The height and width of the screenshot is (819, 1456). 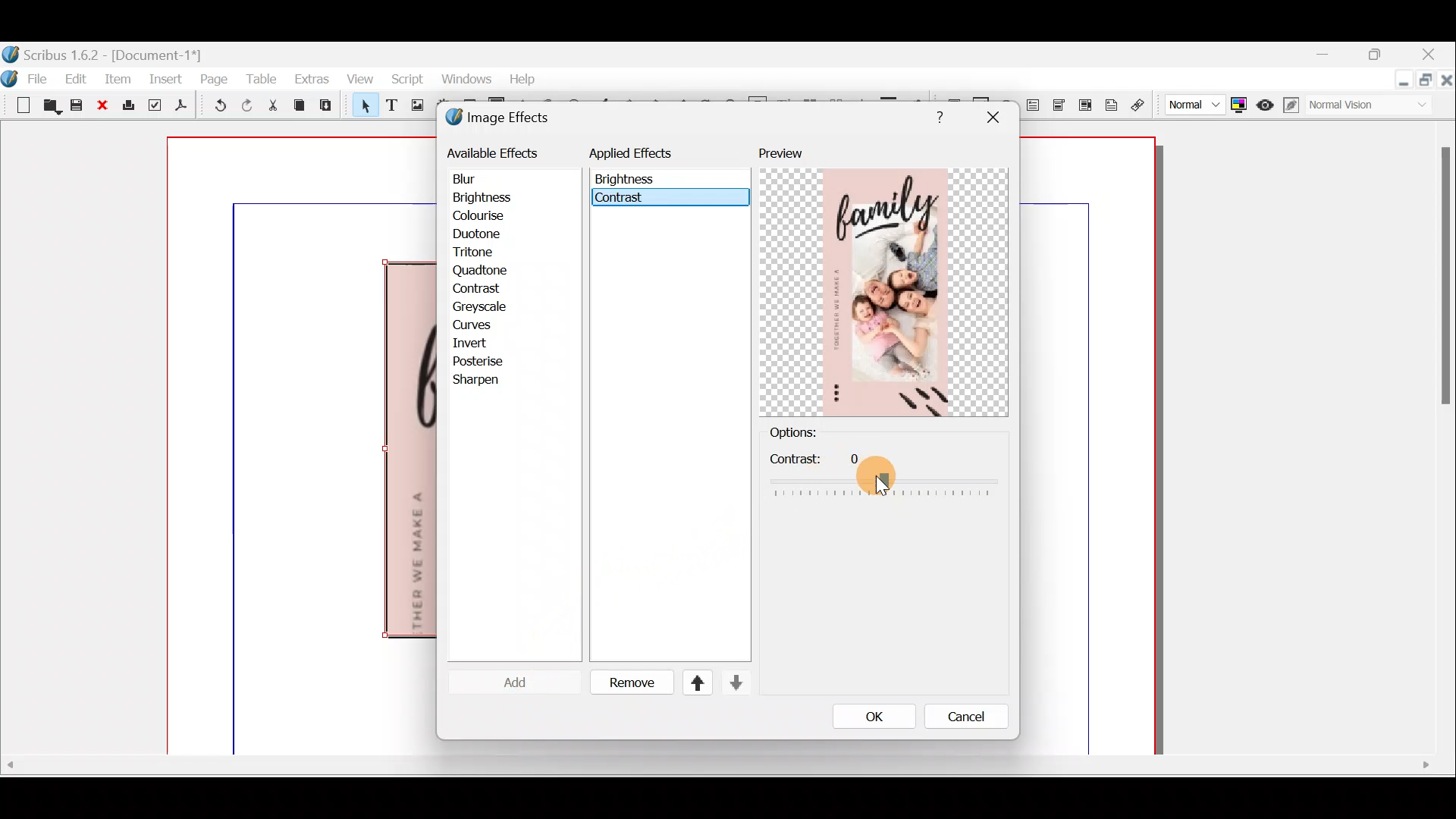 I want to click on Invert, so click(x=484, y=344).